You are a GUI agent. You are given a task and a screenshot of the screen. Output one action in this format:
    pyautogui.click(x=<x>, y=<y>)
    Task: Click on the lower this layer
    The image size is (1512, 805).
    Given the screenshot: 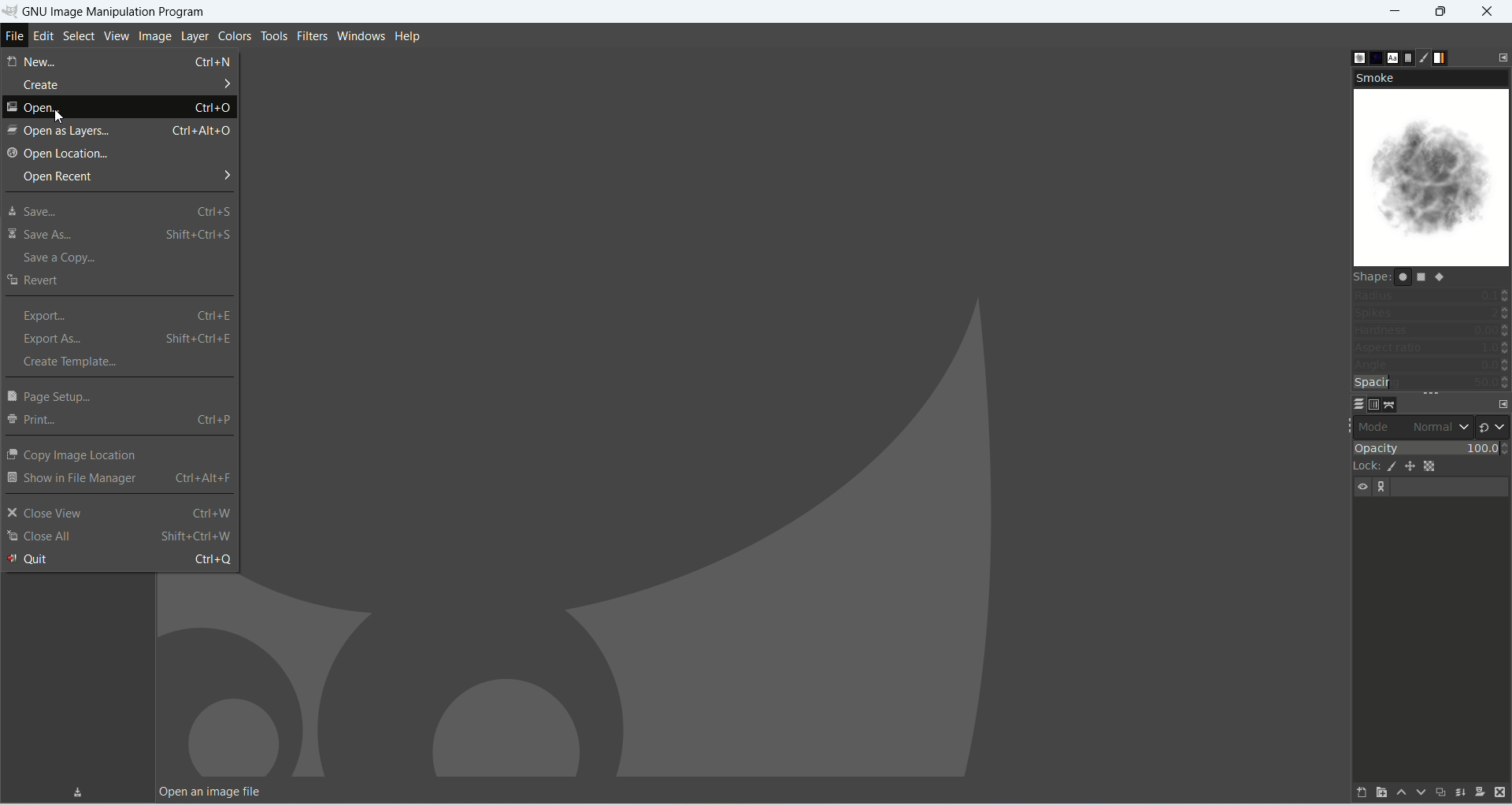 What is the action you would take?
    pyautogui.click(x=1421, y=793)
    